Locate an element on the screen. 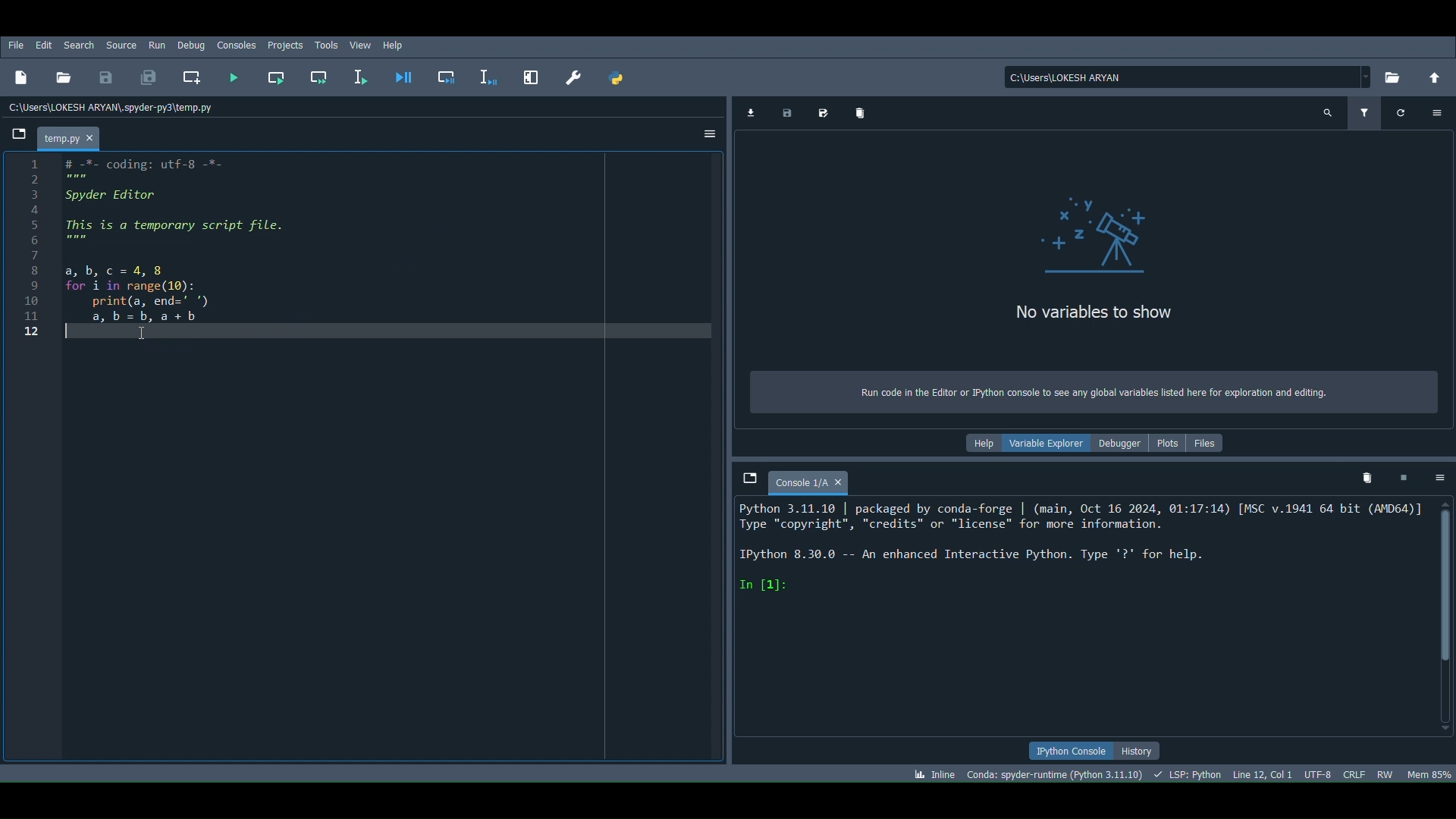  Run code in the Editor or Python console to see any global variables listed here for exploration and editing. is located at coordinates (1085, 393).